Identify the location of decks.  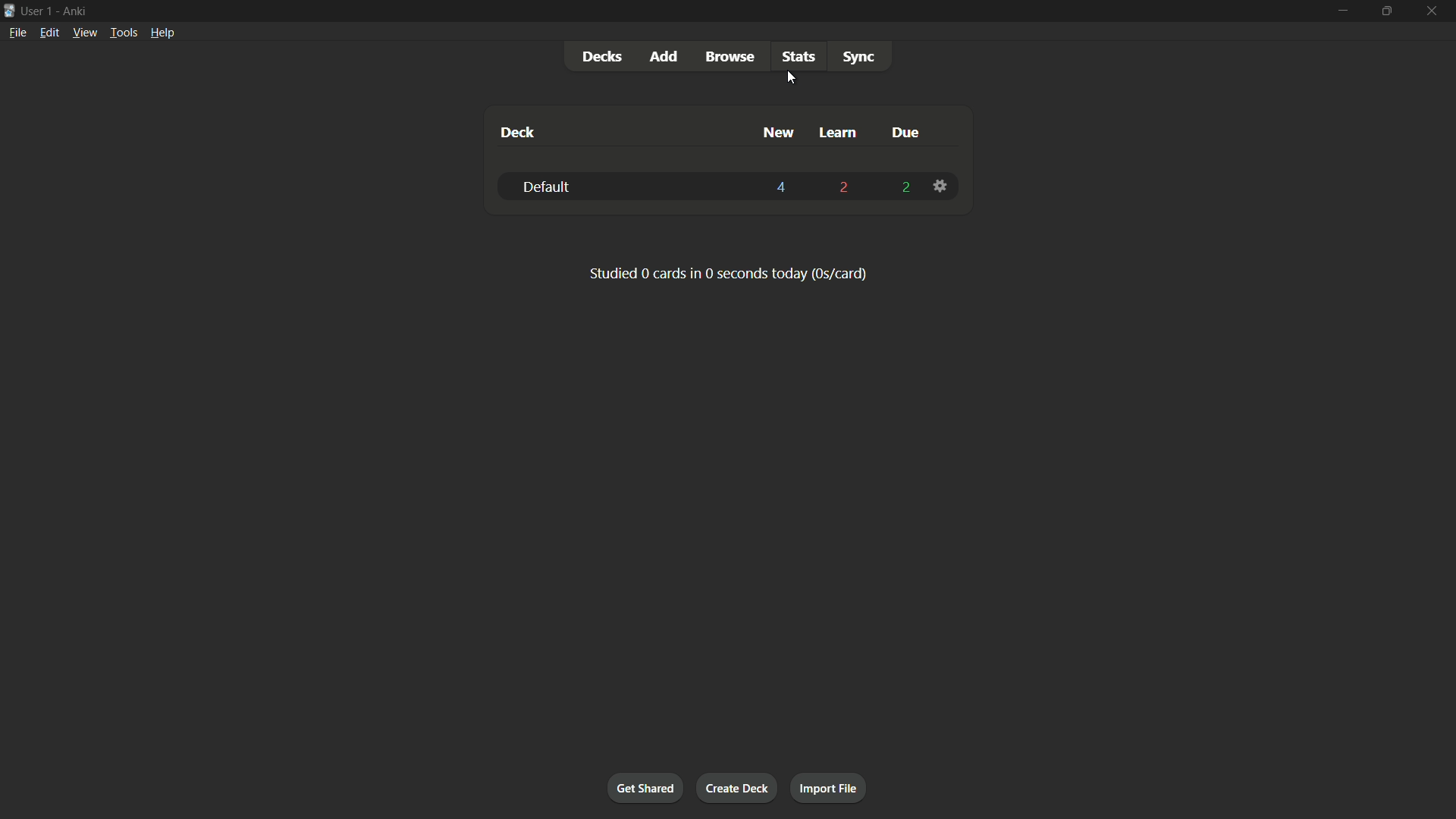
(604, 56).